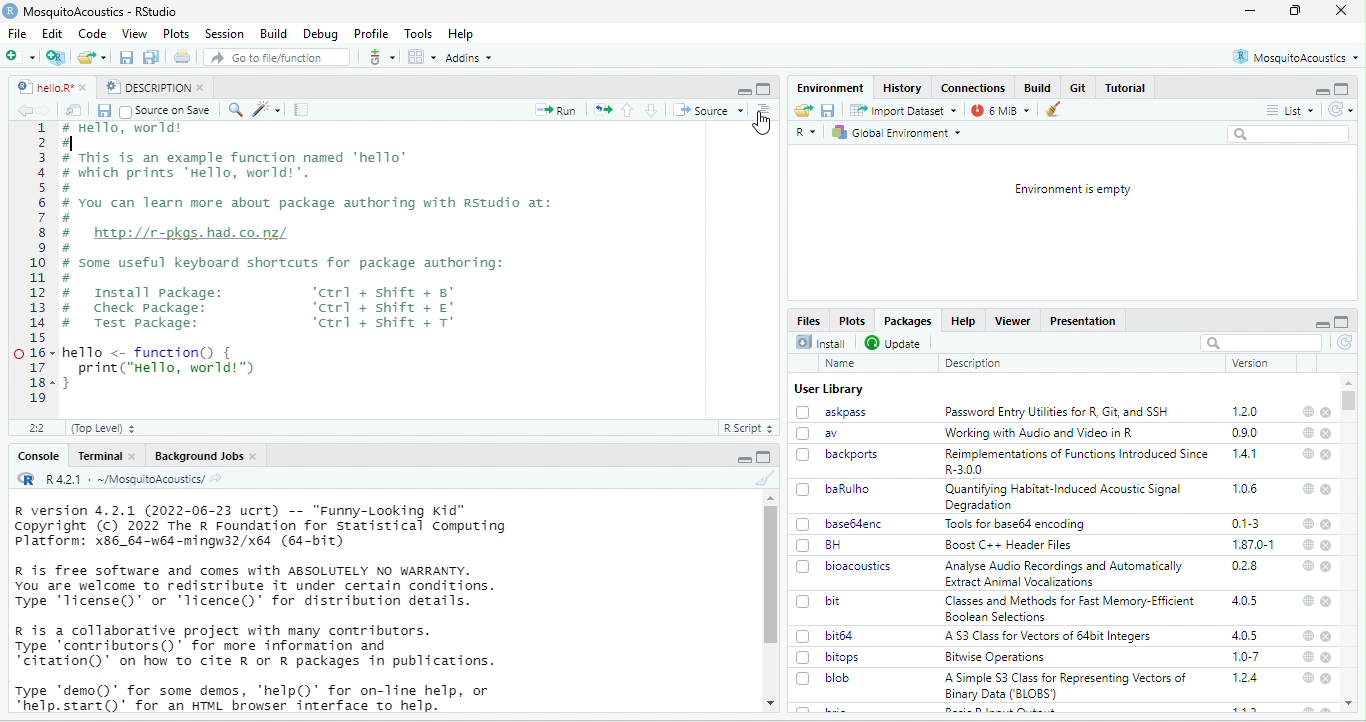 This screenshot has height=722, width=1366. Describe the element at coordinates (1320, 89) in the screenshot. I see `minimize` at that location.